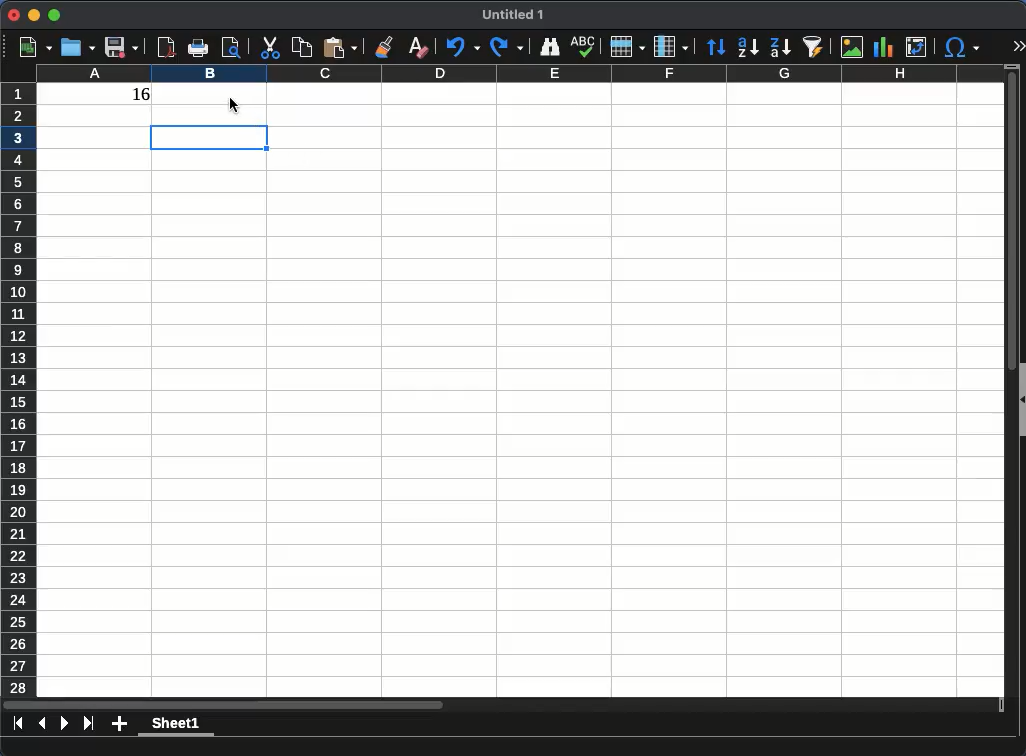  Describe the element at coordinates (198, 49) in the screenshot. I see `print` at that location.